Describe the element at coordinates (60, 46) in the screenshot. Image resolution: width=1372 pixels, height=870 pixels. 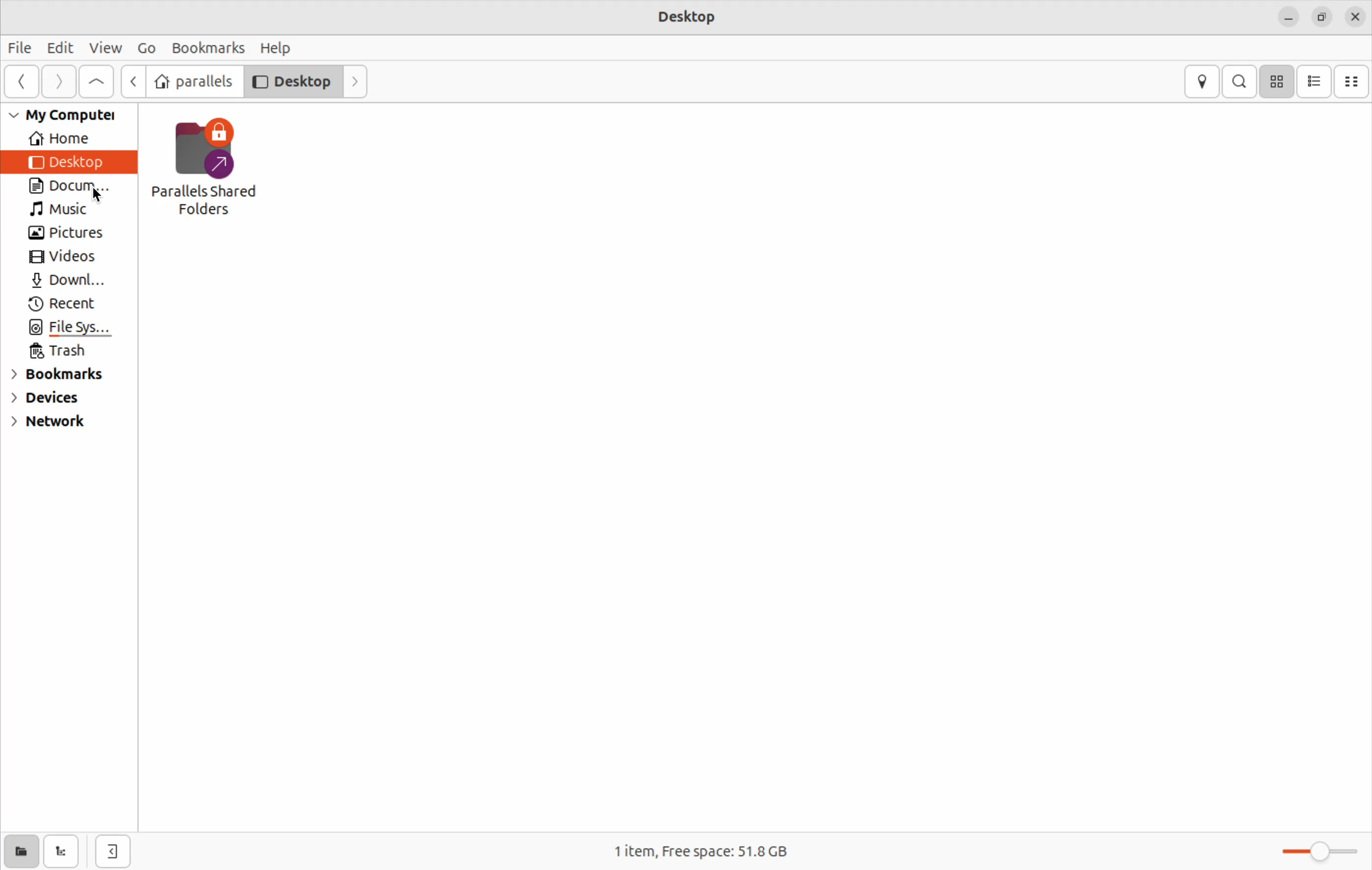
I see `Edit` at that location.